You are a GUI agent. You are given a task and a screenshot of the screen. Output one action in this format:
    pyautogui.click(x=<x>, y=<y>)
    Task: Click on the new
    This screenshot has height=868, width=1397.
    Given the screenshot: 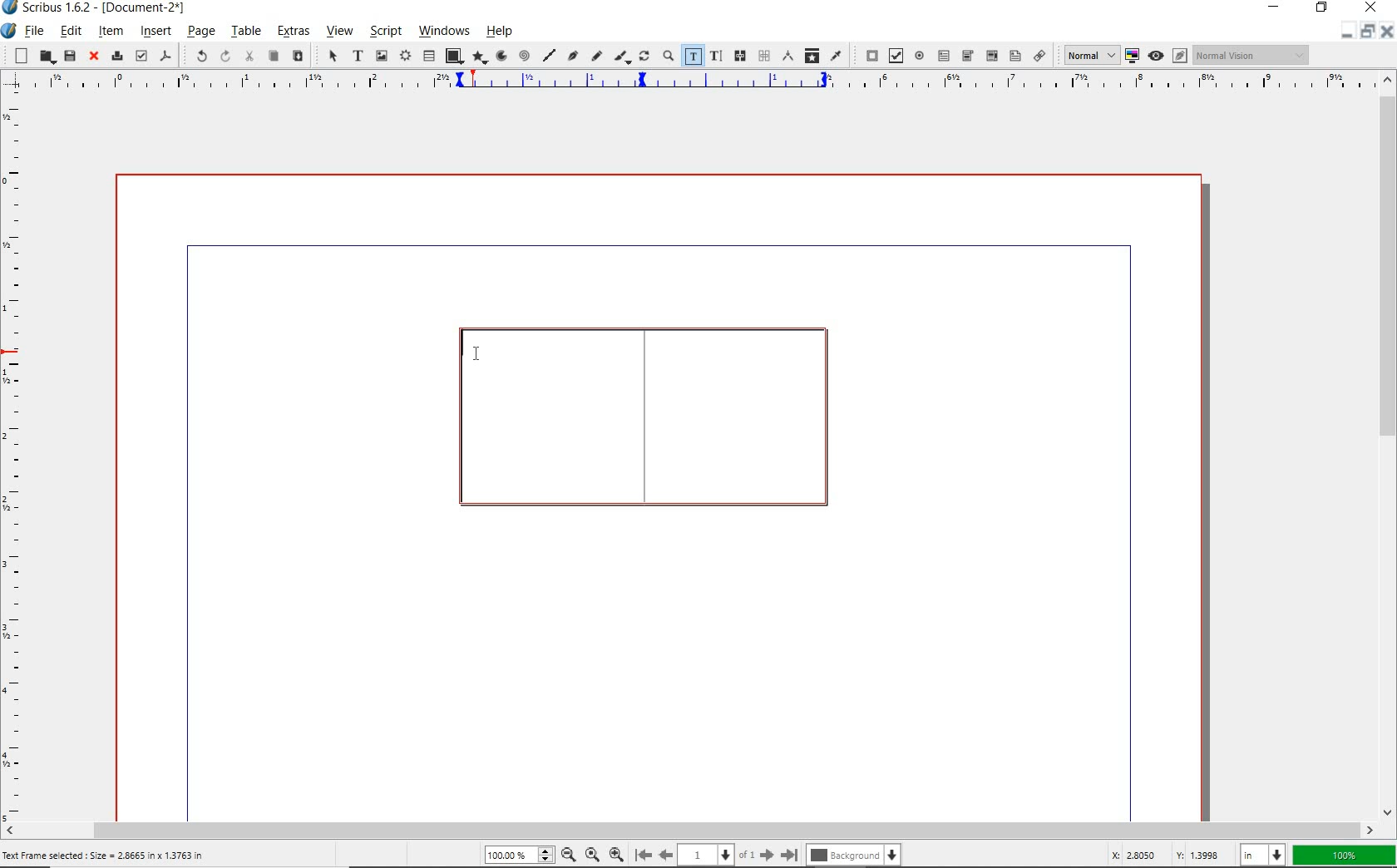 What is the action you would take?
    pyautogui.click(x=18, y=56)
    